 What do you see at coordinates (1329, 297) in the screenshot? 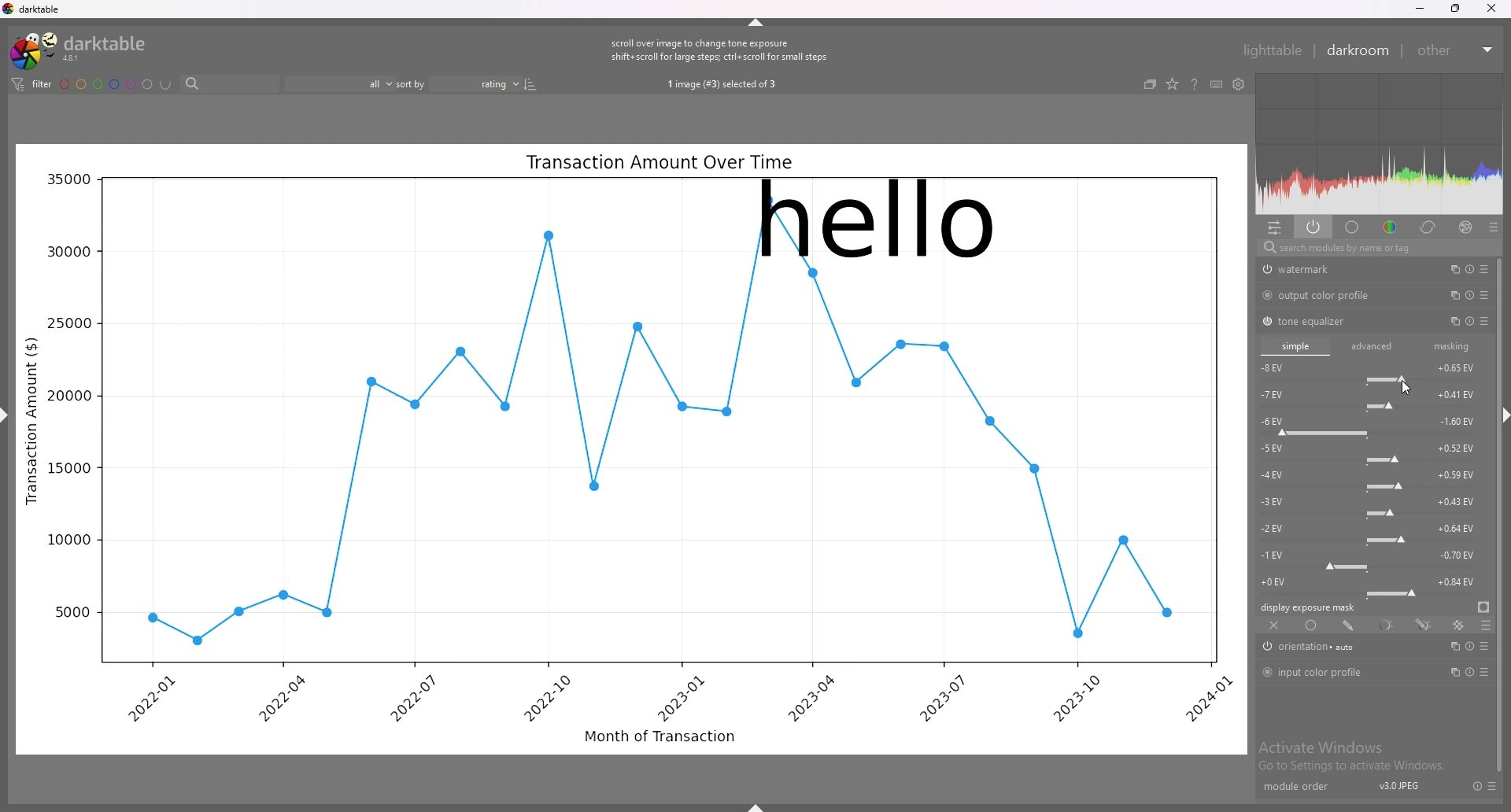
I see `output color profile` at bounding box center [1329, 297].